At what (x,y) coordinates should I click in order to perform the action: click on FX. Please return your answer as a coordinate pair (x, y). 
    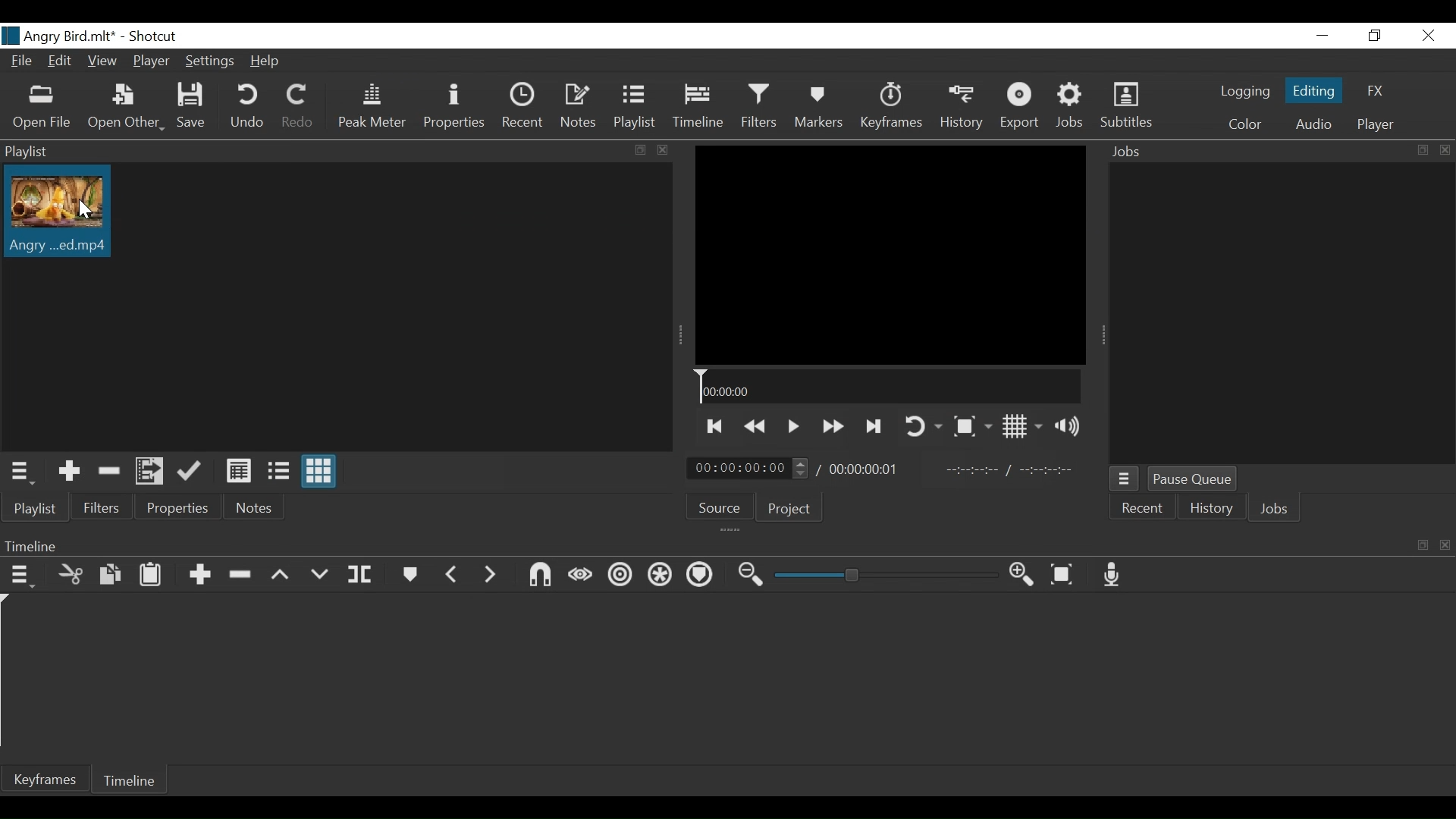
    Looking at the image, I should click on (1375, 91).